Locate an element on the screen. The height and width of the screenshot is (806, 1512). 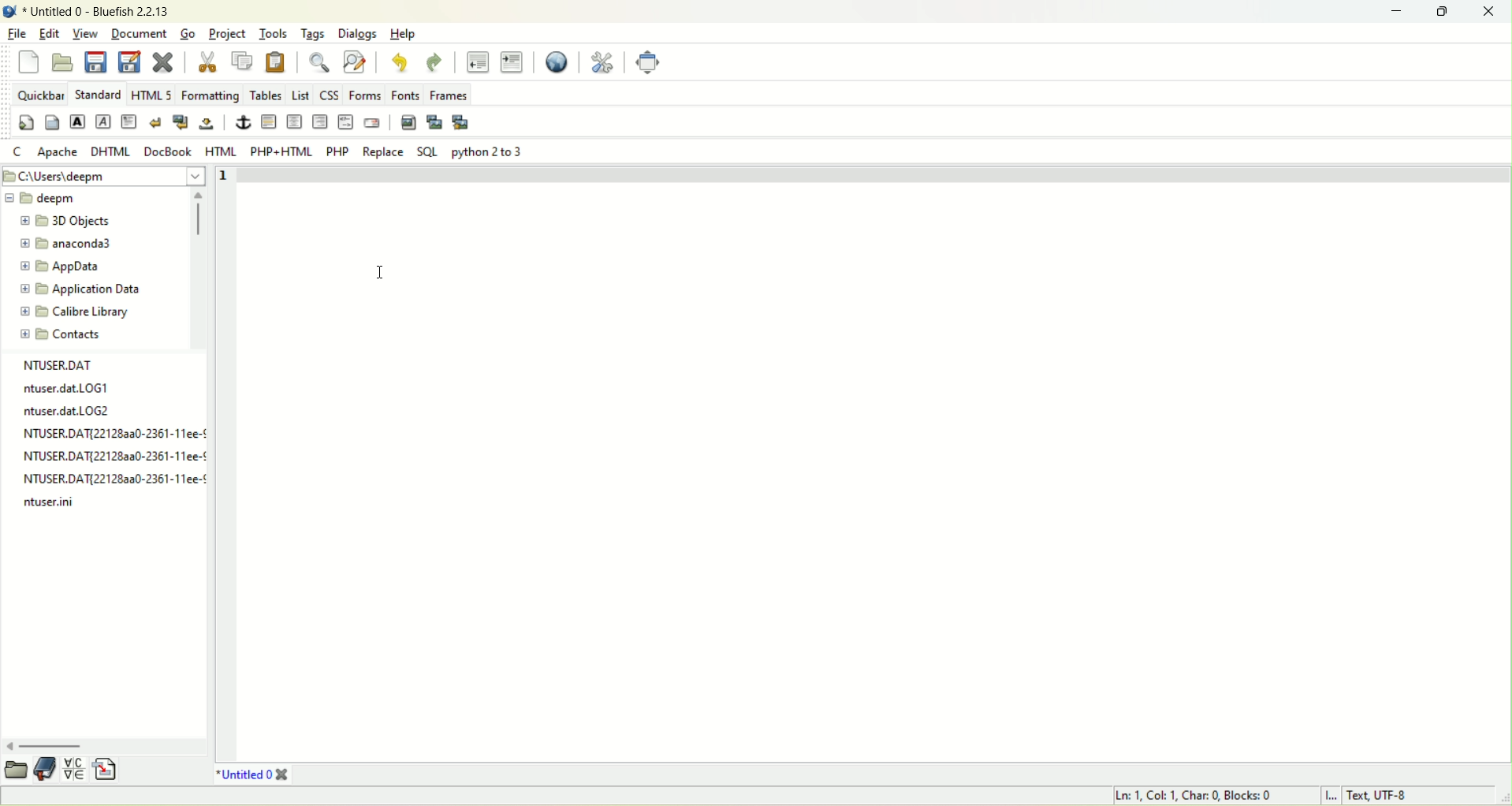
frames is located at coordinates (449, 95).